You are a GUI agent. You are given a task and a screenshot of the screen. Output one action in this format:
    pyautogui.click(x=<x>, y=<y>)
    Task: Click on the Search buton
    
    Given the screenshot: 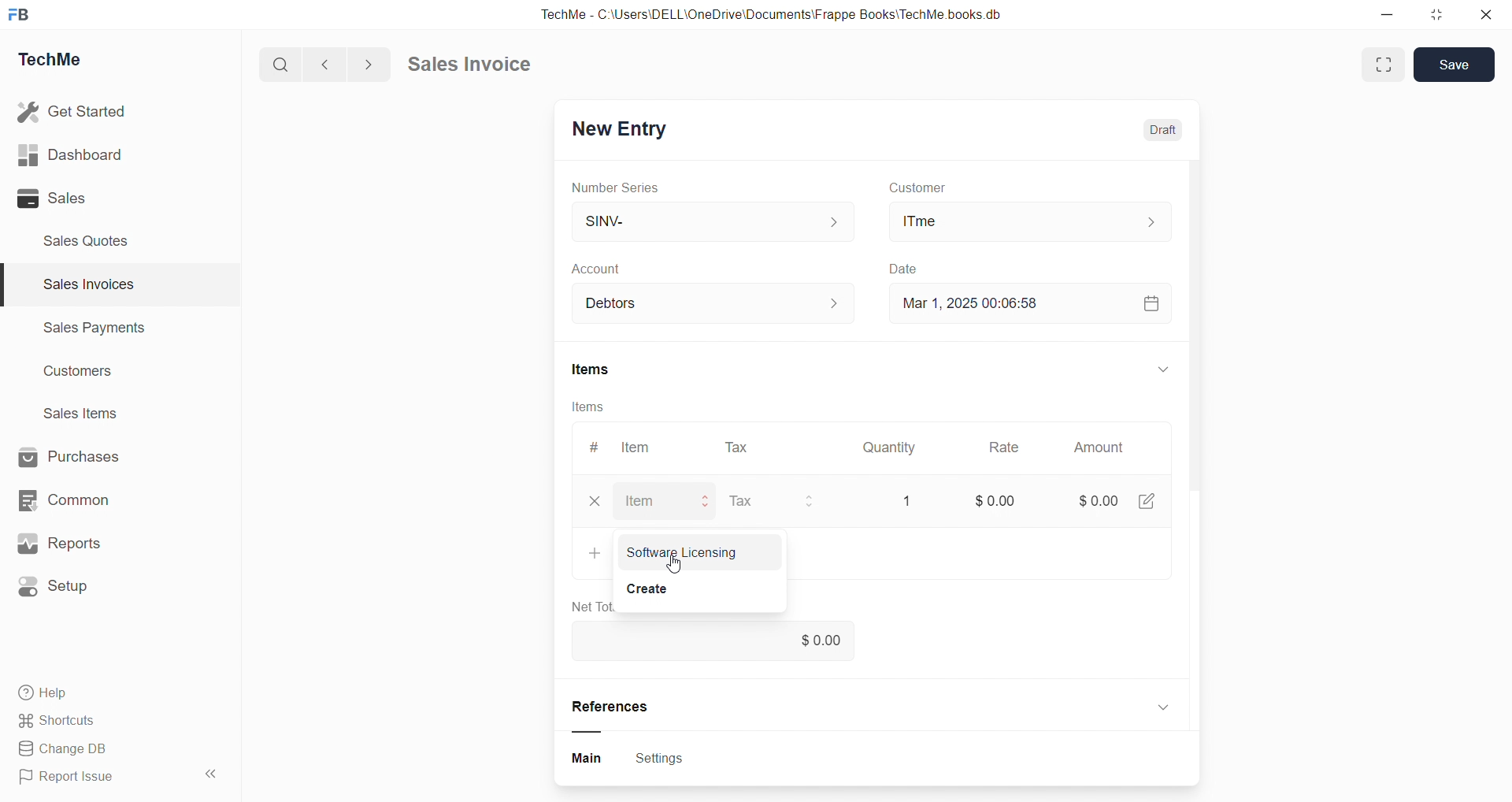 What is the action you would take?
    pyautogui.click(x=283, y=65)
    